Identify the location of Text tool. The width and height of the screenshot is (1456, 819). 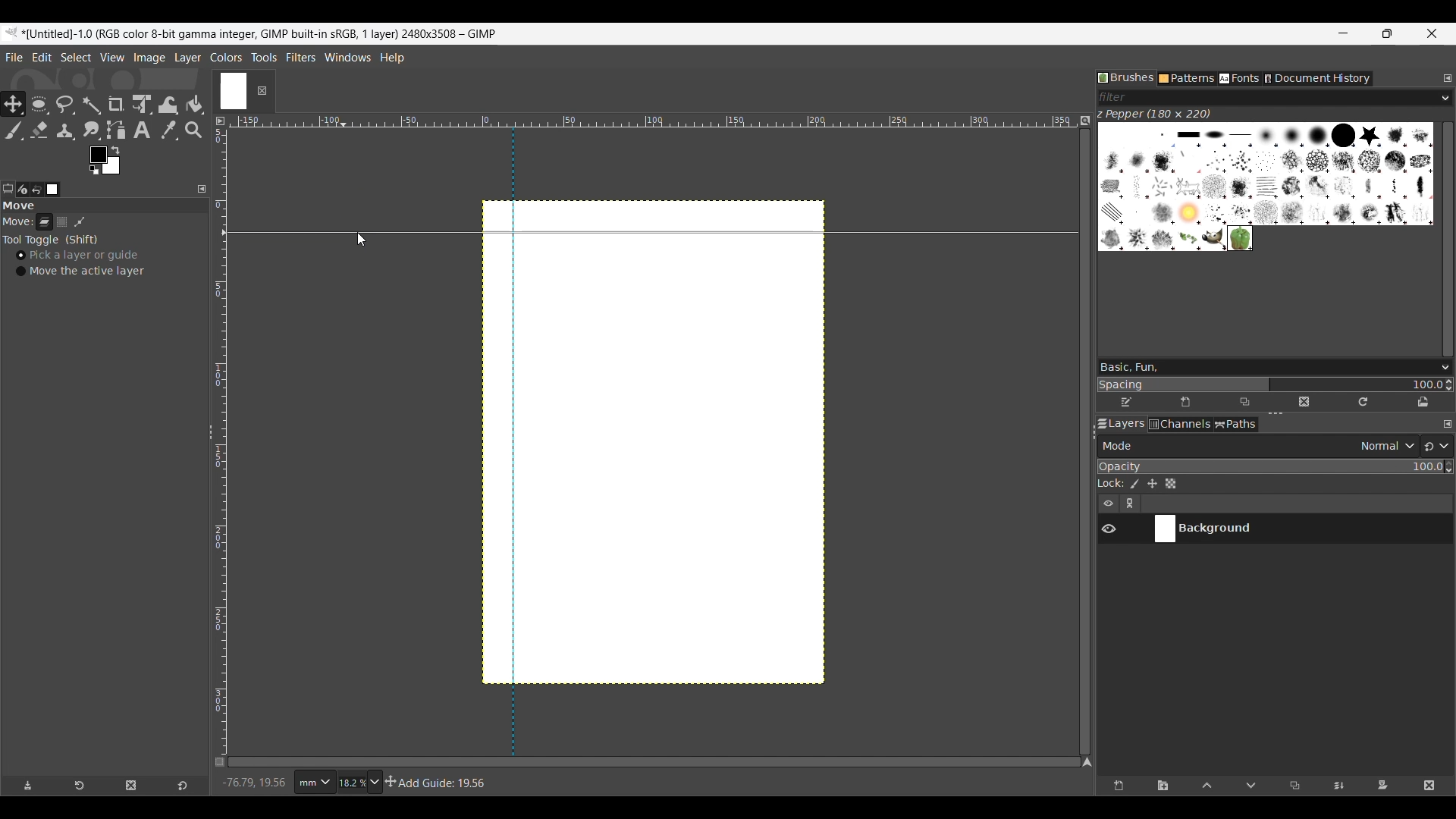
(143, 130).